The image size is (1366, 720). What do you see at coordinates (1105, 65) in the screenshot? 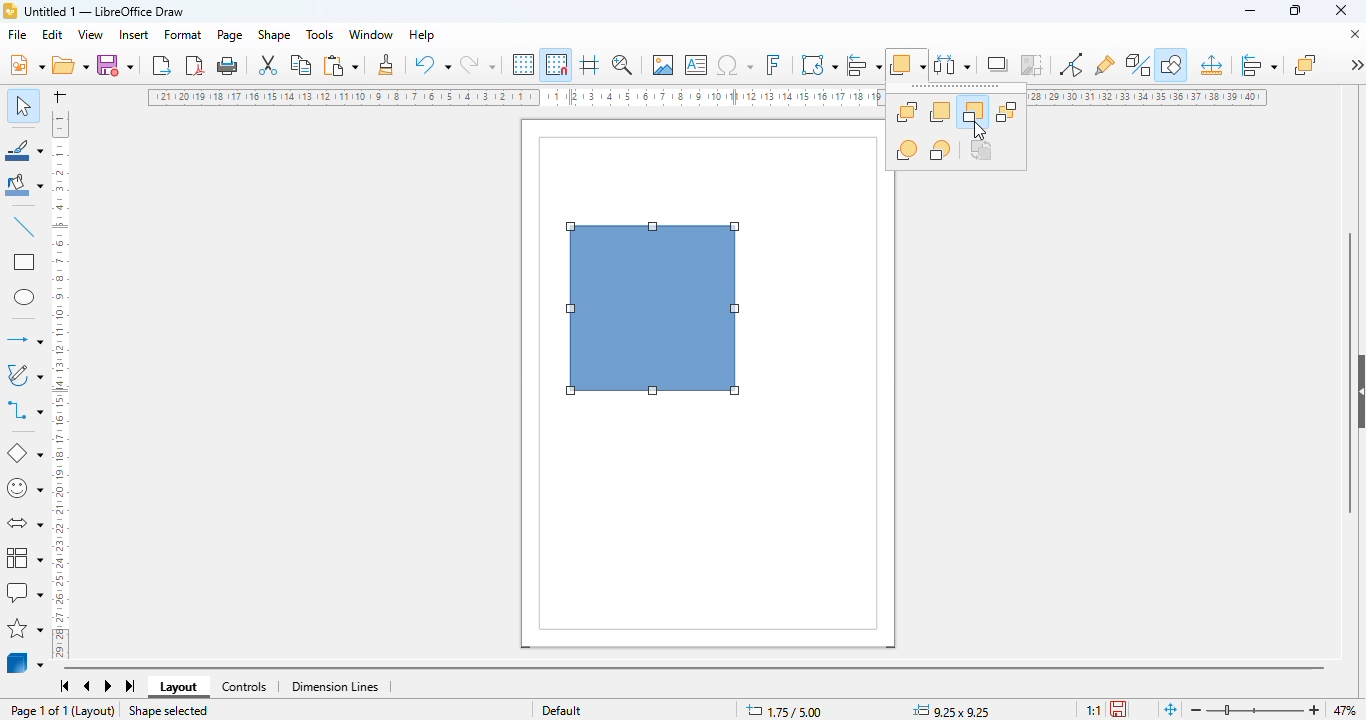
I see `show gluepoint functions` at bounding box center [1105, 65].